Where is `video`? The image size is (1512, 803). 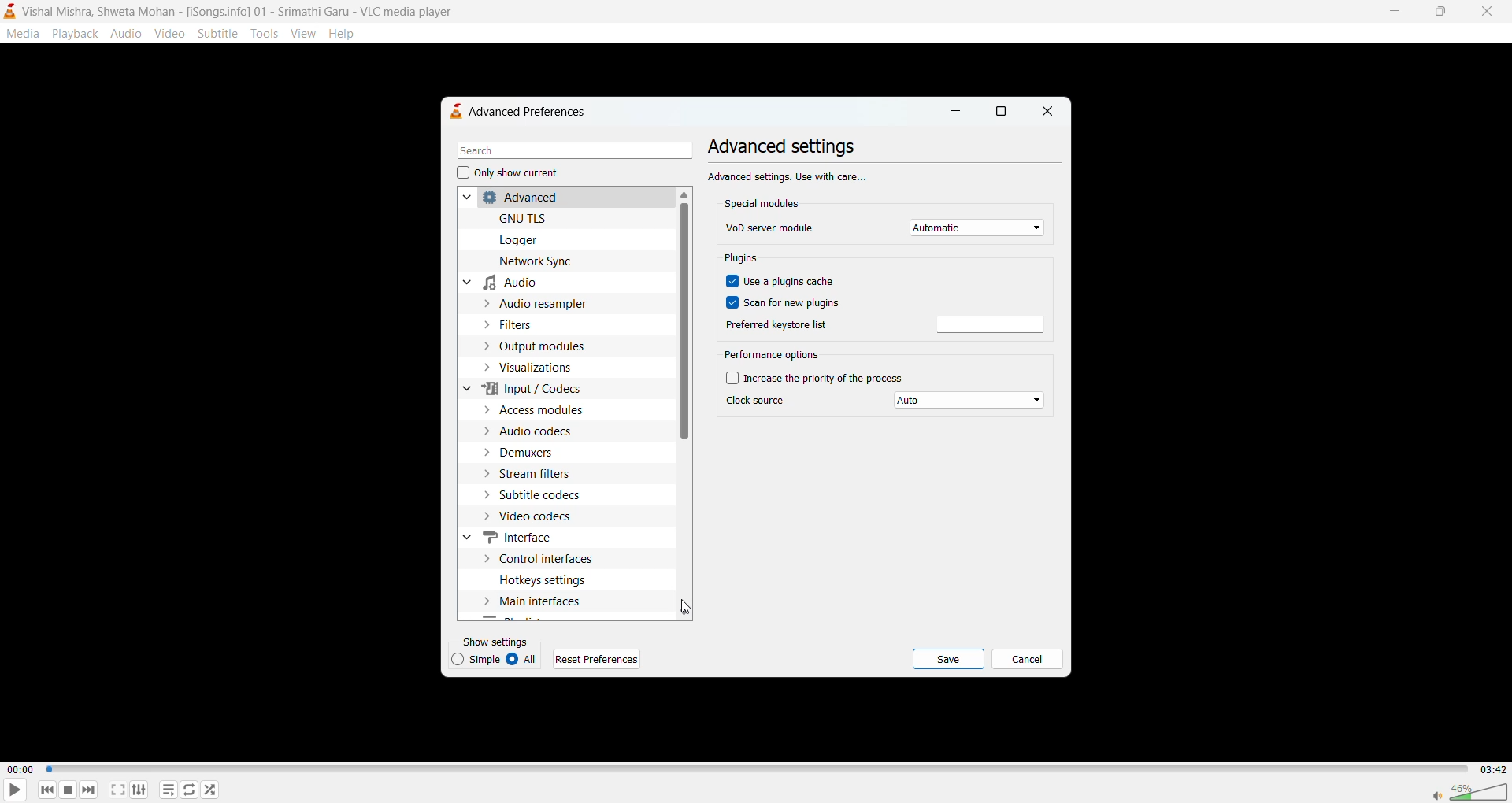 video is located at coordinates (171, 33).